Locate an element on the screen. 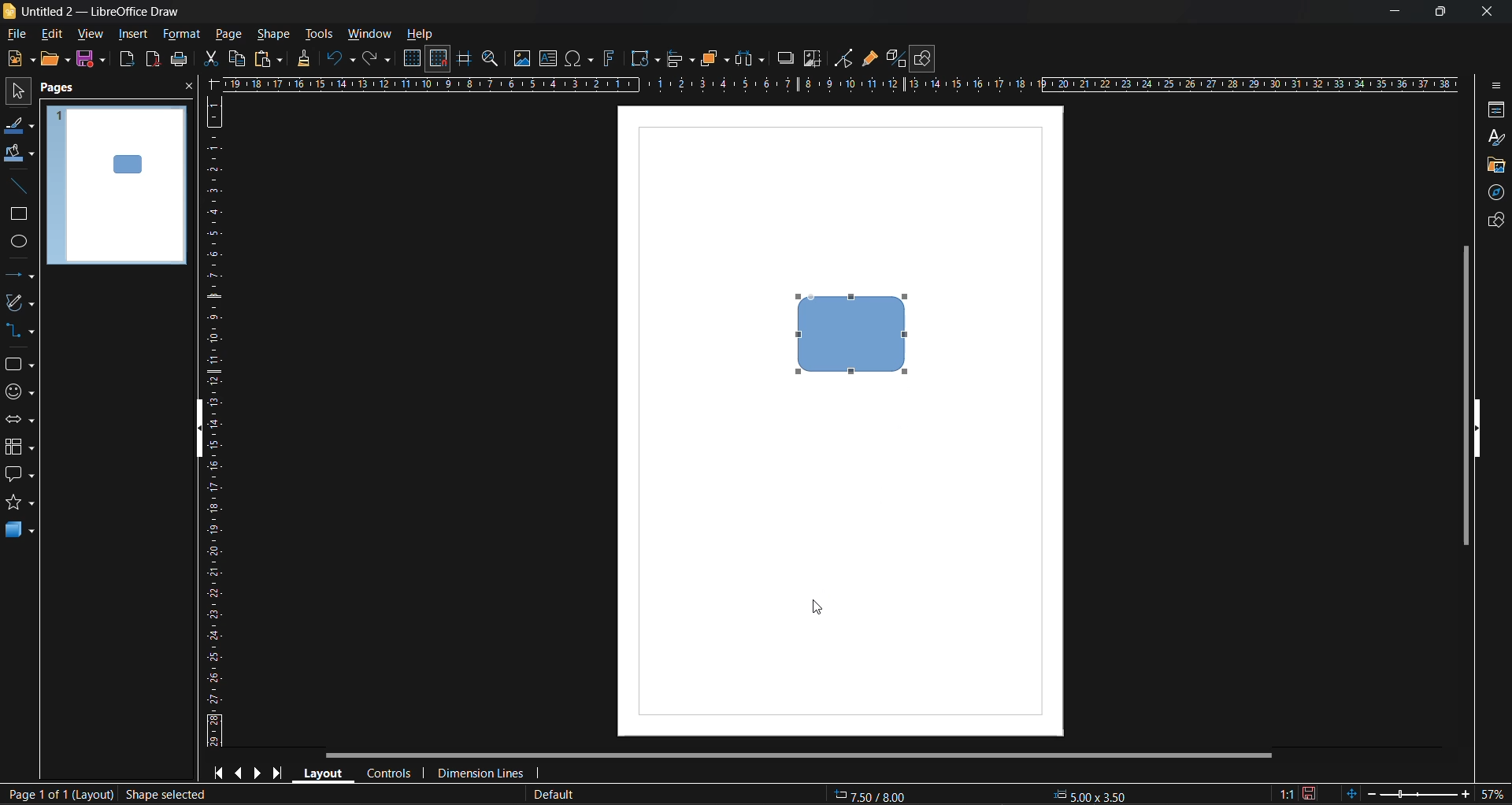  basic shapes is located at coordinates (18, 365).